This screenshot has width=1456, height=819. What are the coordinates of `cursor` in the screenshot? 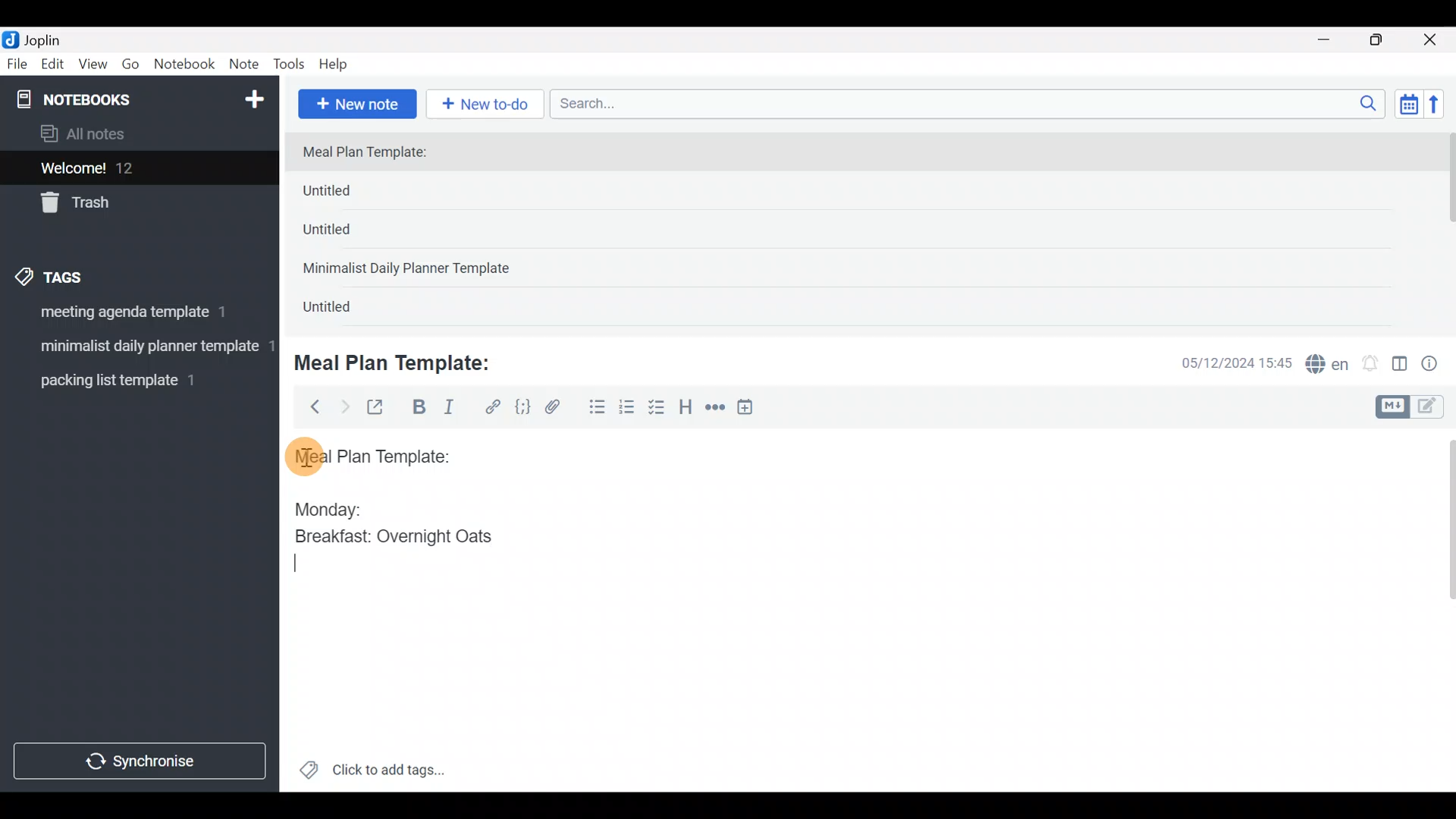 It's located at (303, 456).